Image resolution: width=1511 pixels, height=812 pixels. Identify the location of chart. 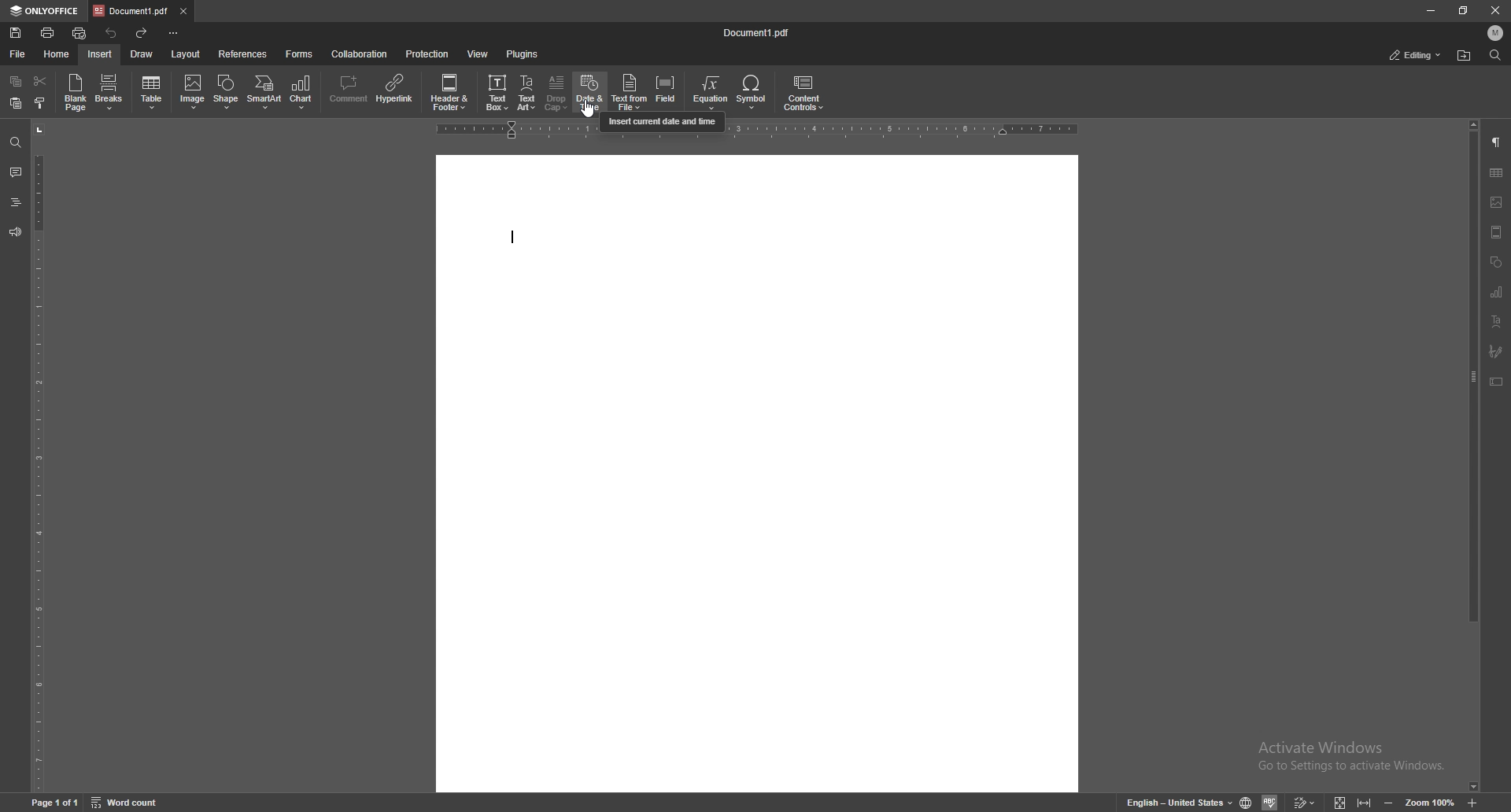
(302, 93).